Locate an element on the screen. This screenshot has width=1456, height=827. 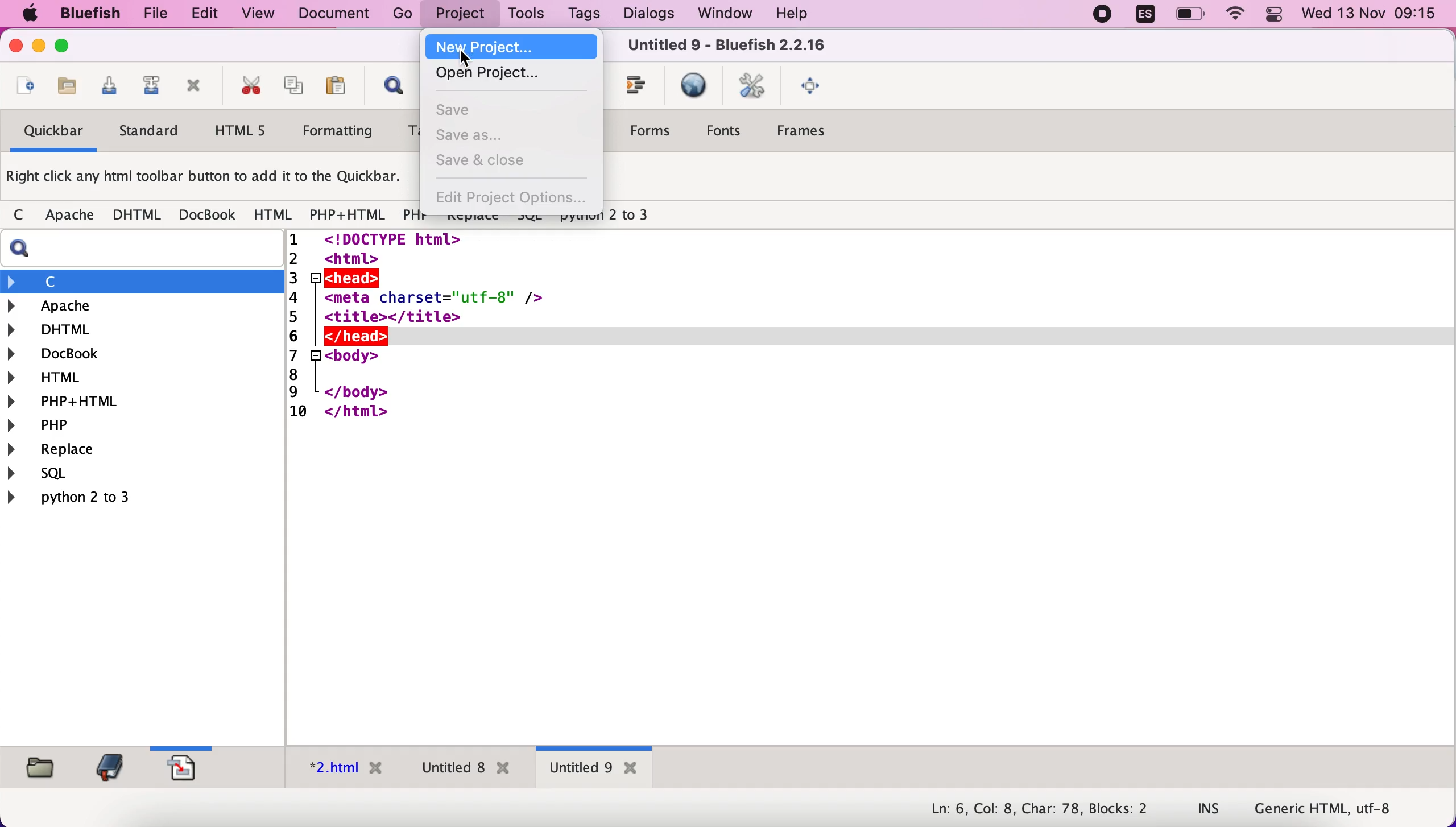
html is located at coordinates (271, 214).